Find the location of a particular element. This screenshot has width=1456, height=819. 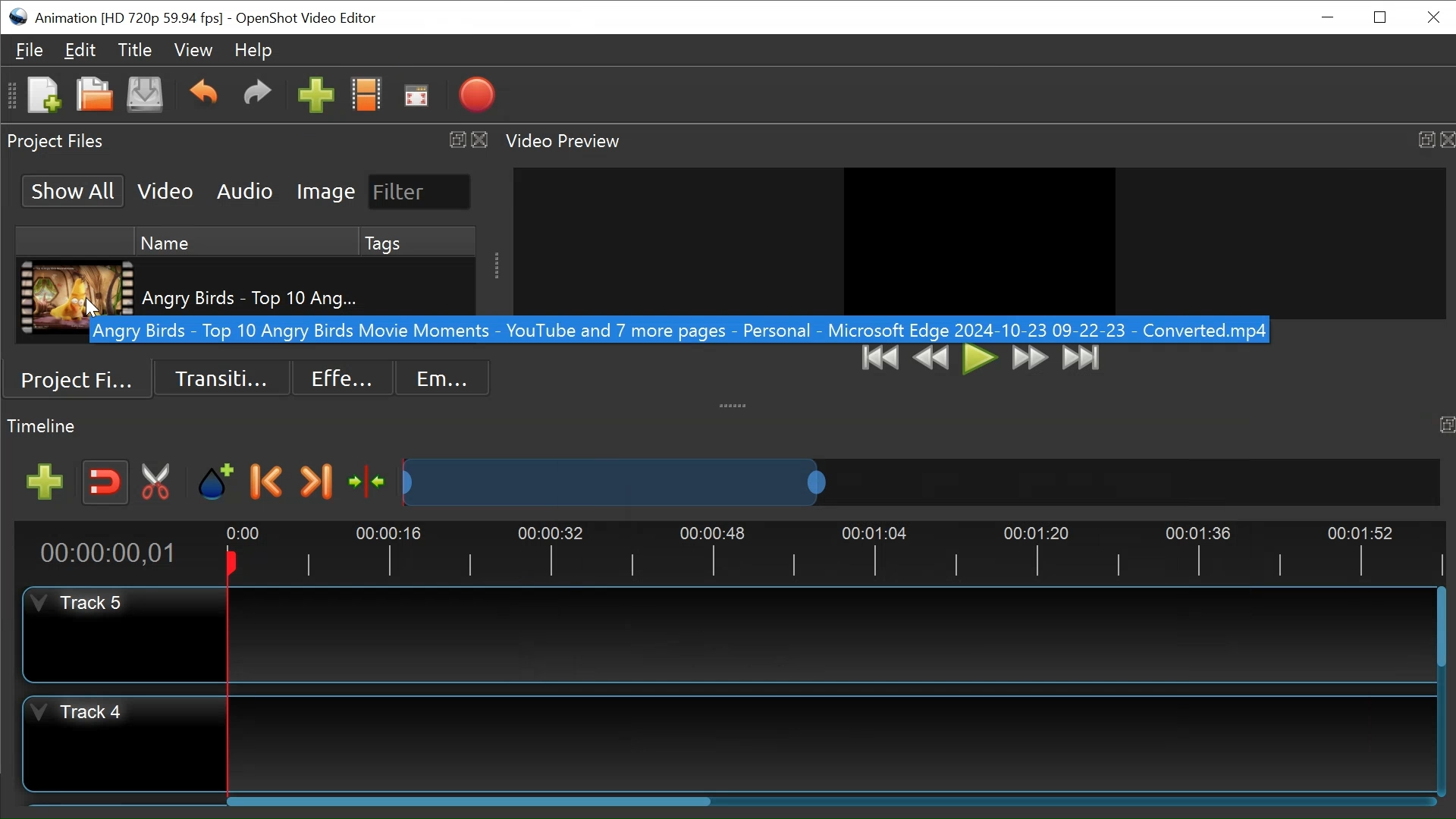

Track Panel is located at coordinates (827, 634).